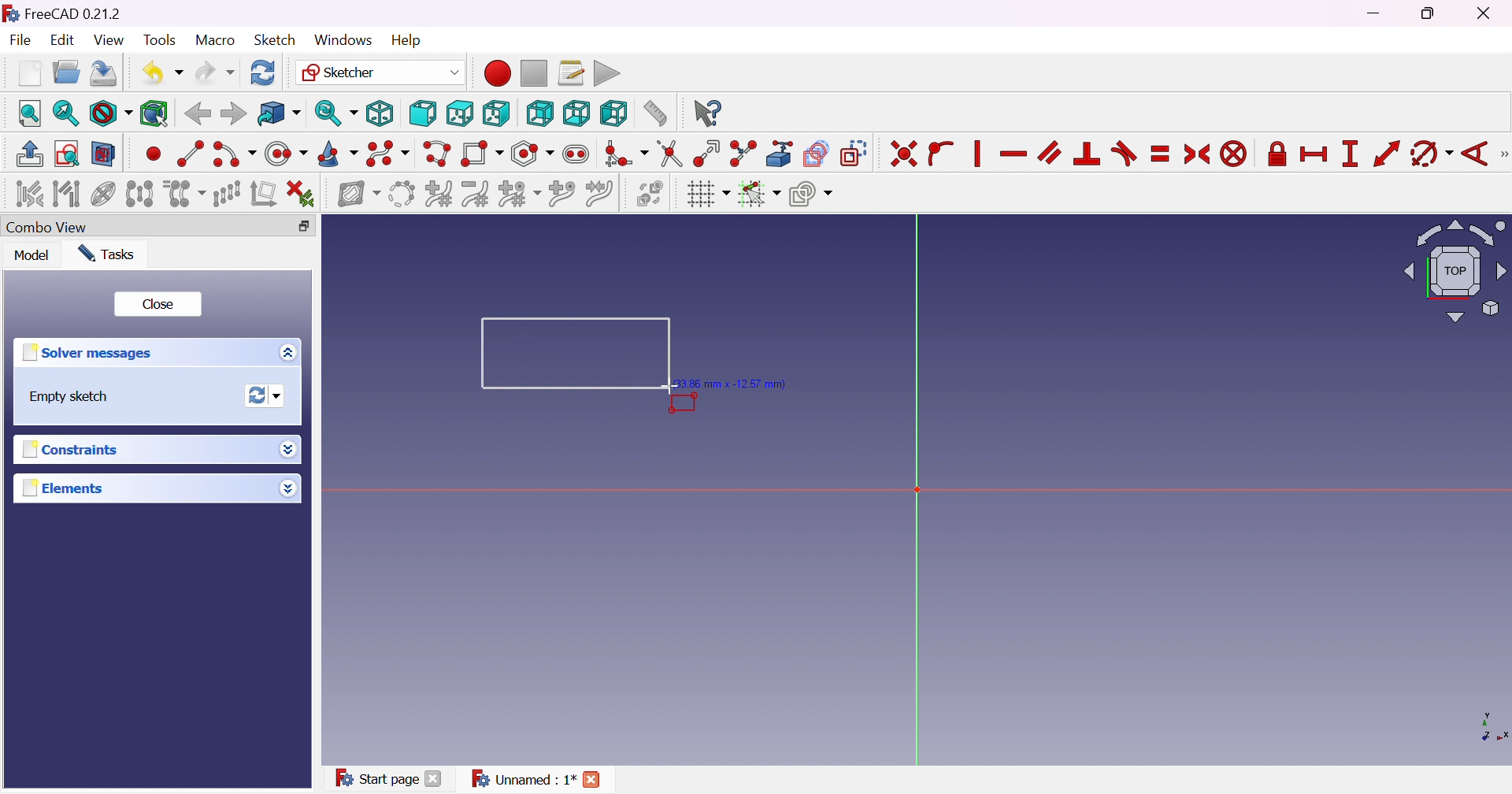 This screenshot has height=794, width=1512. Describe the element at coordinates (112, 254) in the screenshot. I see `Tasks` at that location.